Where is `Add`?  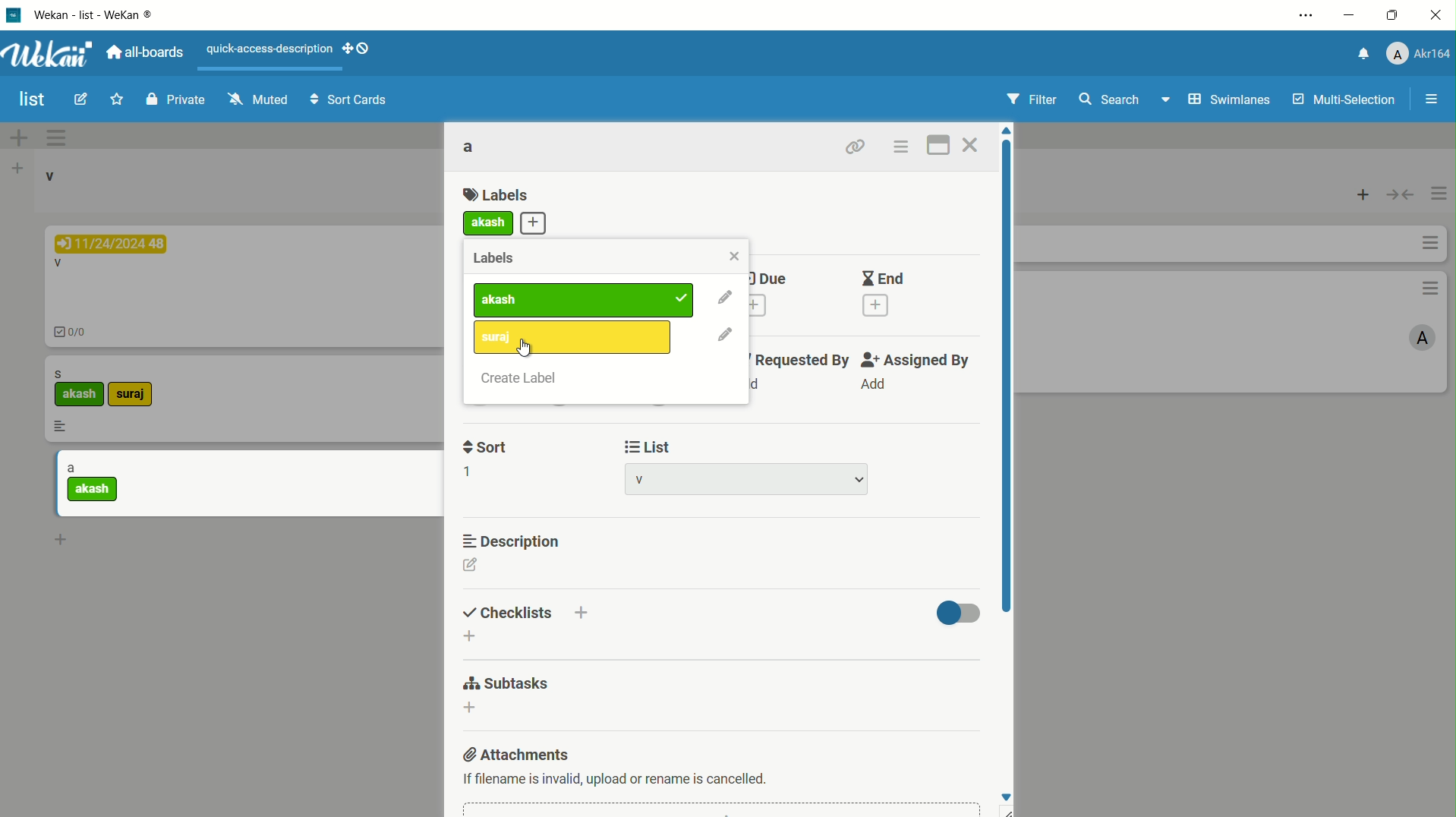 Add is located at coordinates (881, 383).